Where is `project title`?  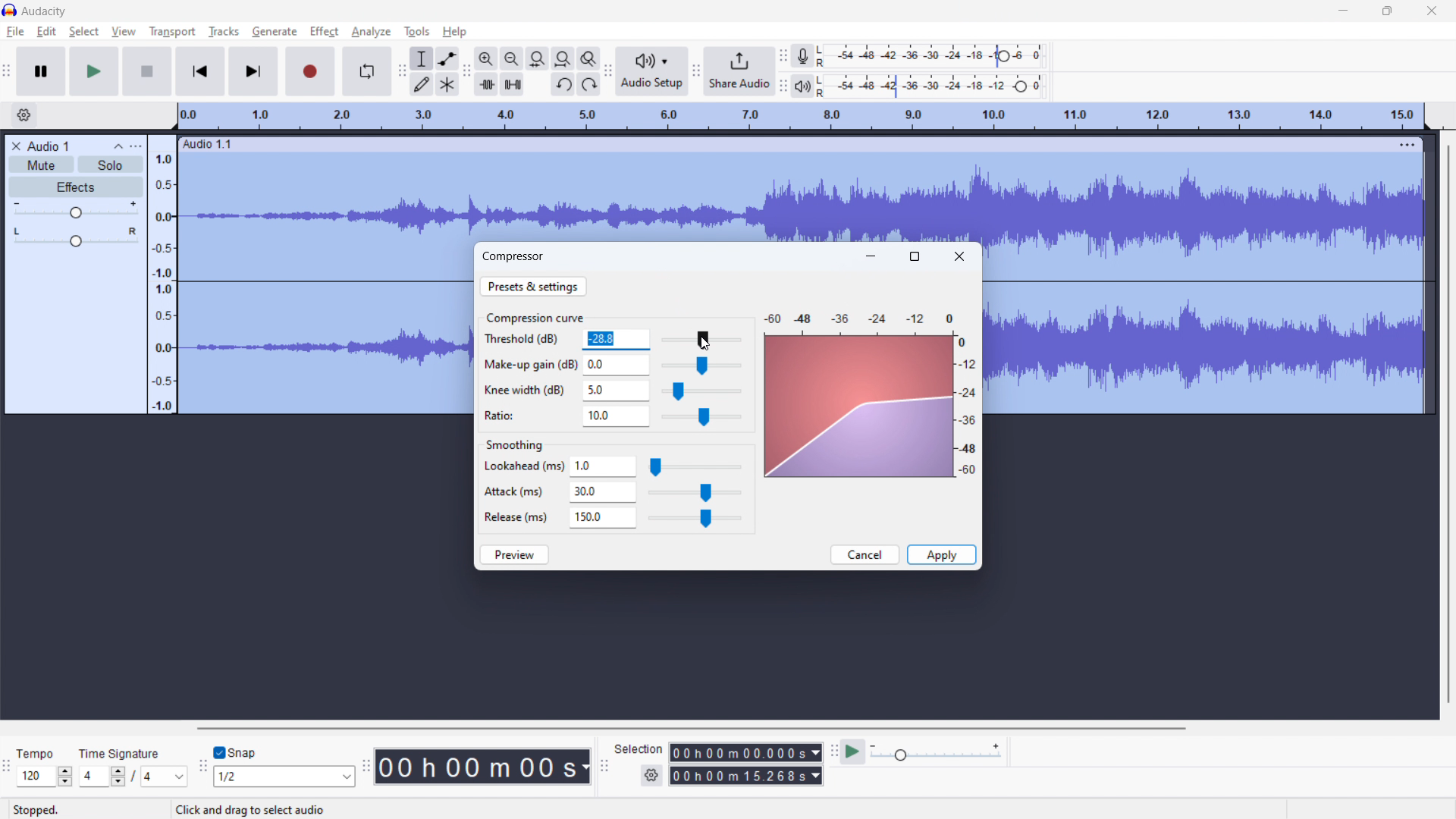
project title is located at coordinates (48, 146).